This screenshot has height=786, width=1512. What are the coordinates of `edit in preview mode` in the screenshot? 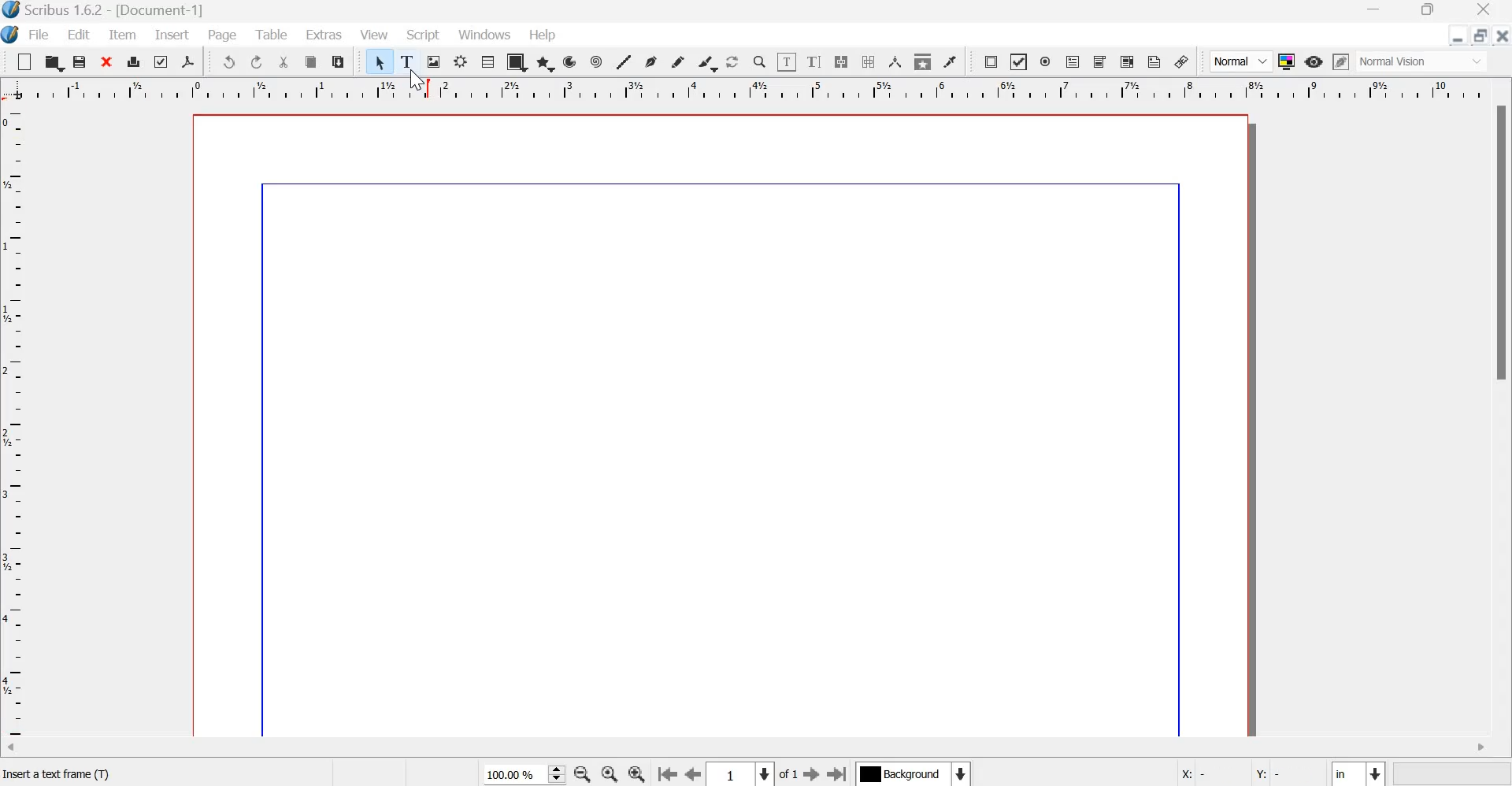 It's located at (1341, 61).